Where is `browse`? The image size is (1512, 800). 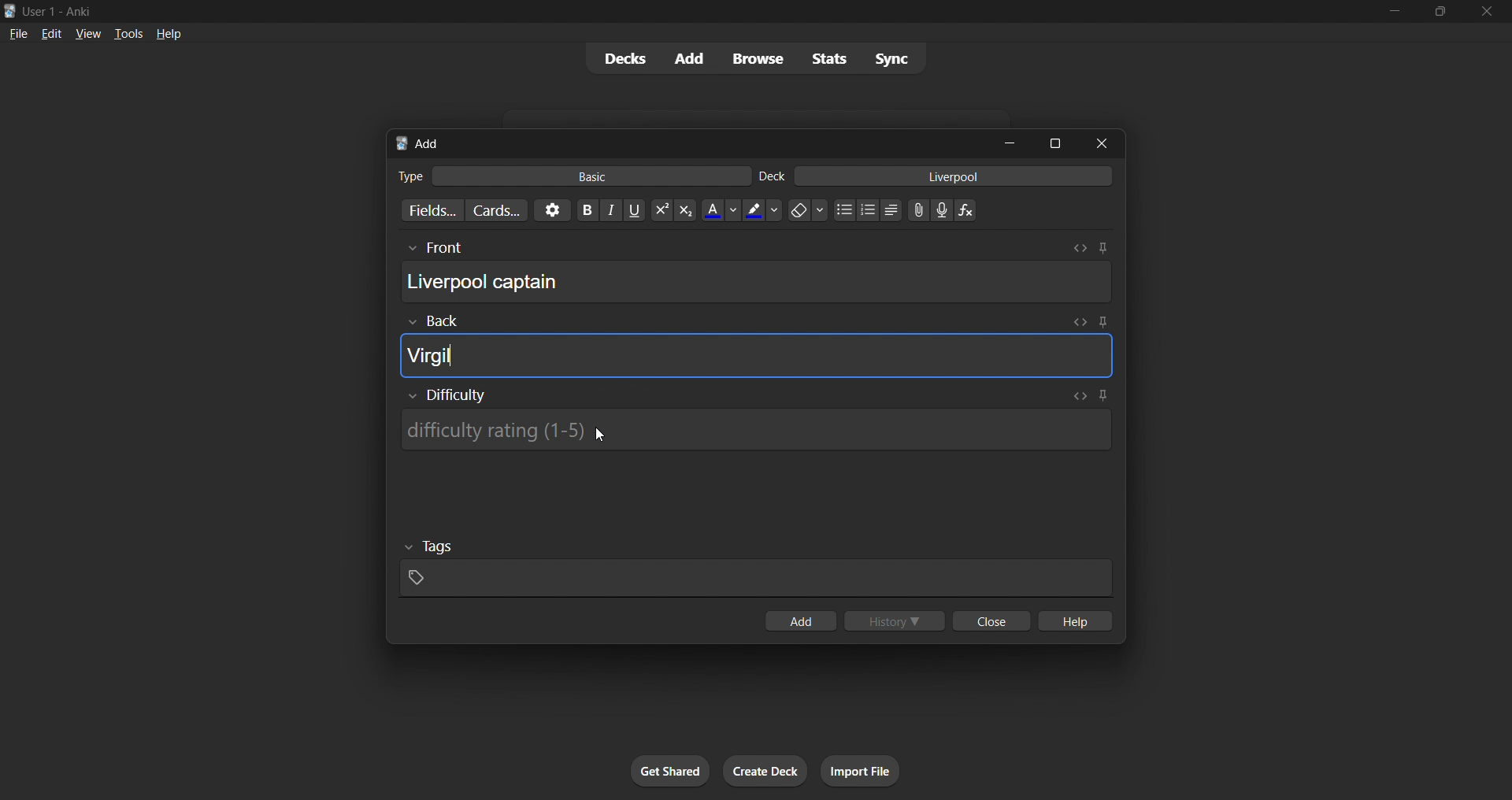 browse is located at coordinates (758, 58).